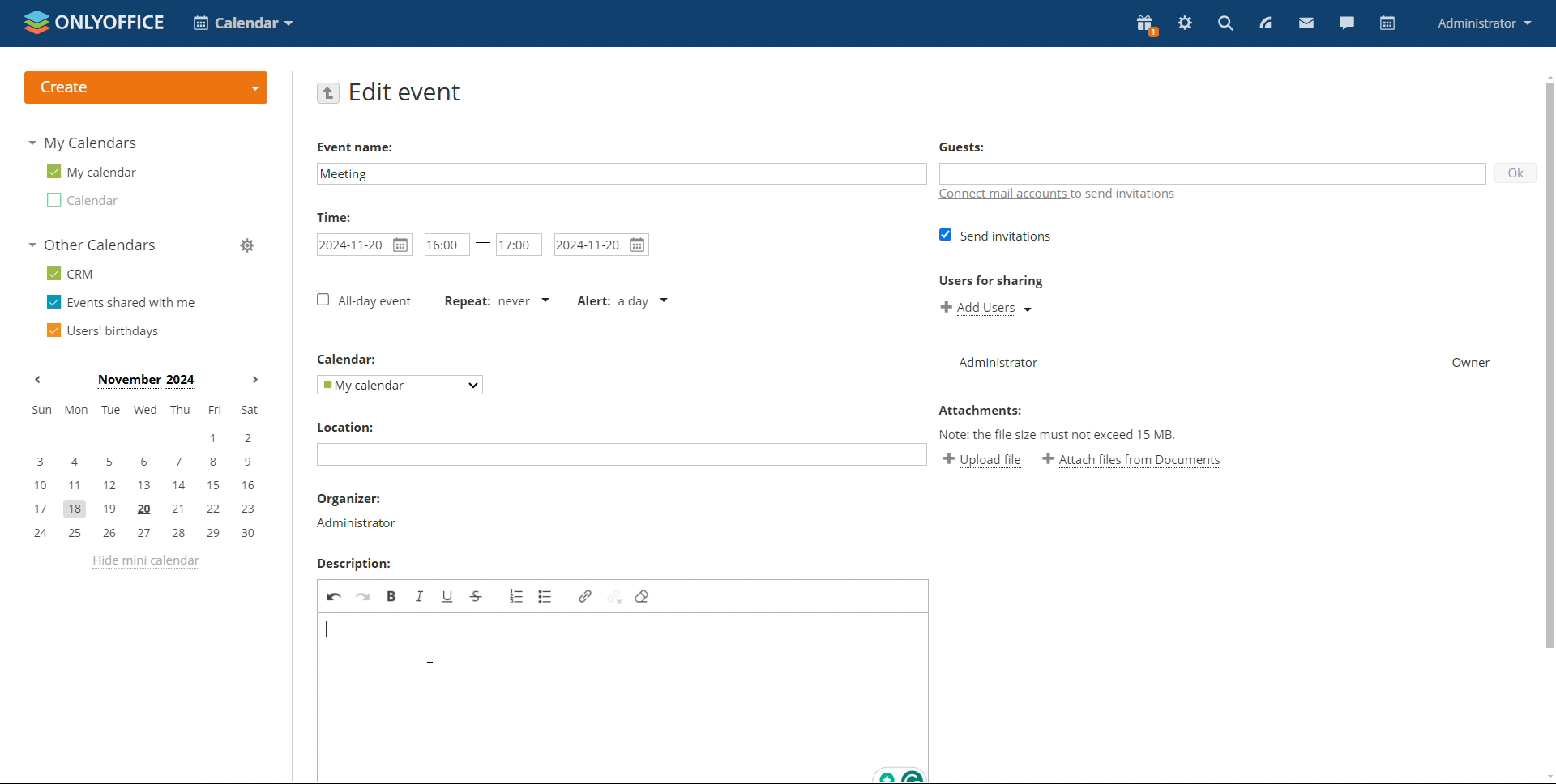 The width and height of the screenshot is (1556, 784). I want to click on guests, so click(961, 147).